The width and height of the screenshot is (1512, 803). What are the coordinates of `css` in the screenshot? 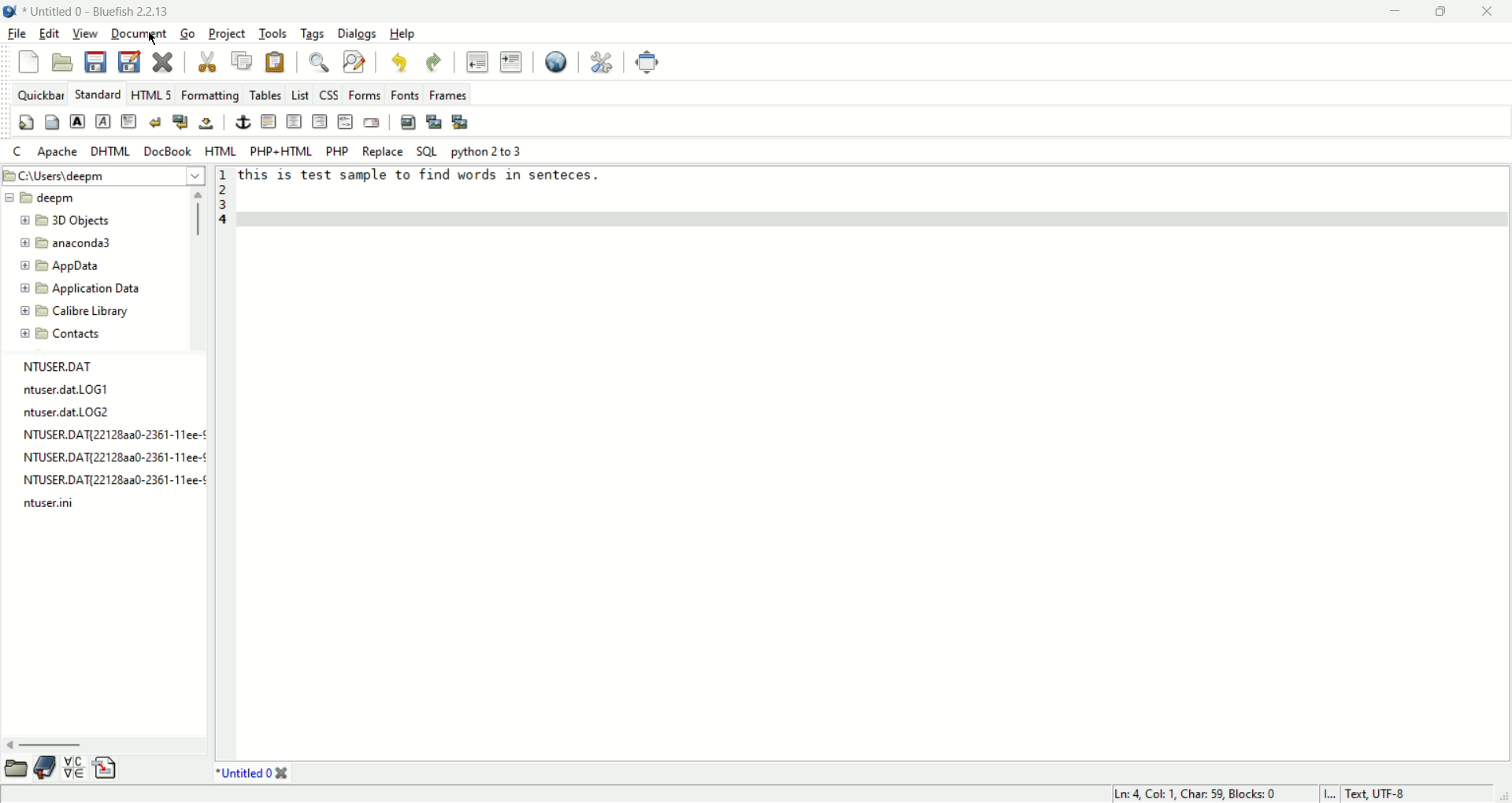 It's located at (328, 94).